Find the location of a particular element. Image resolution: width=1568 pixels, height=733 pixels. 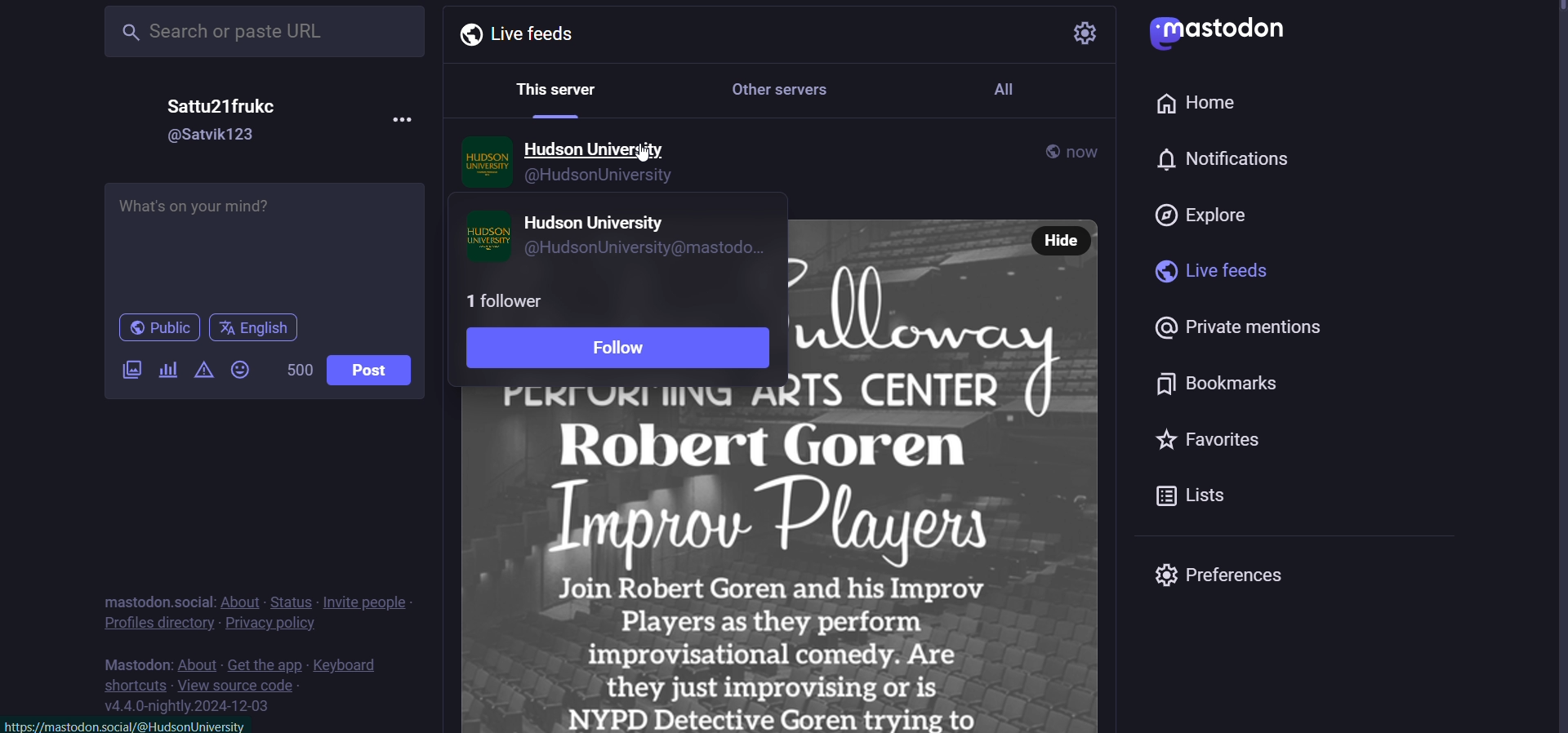

about is located at coordinates (240, 602).